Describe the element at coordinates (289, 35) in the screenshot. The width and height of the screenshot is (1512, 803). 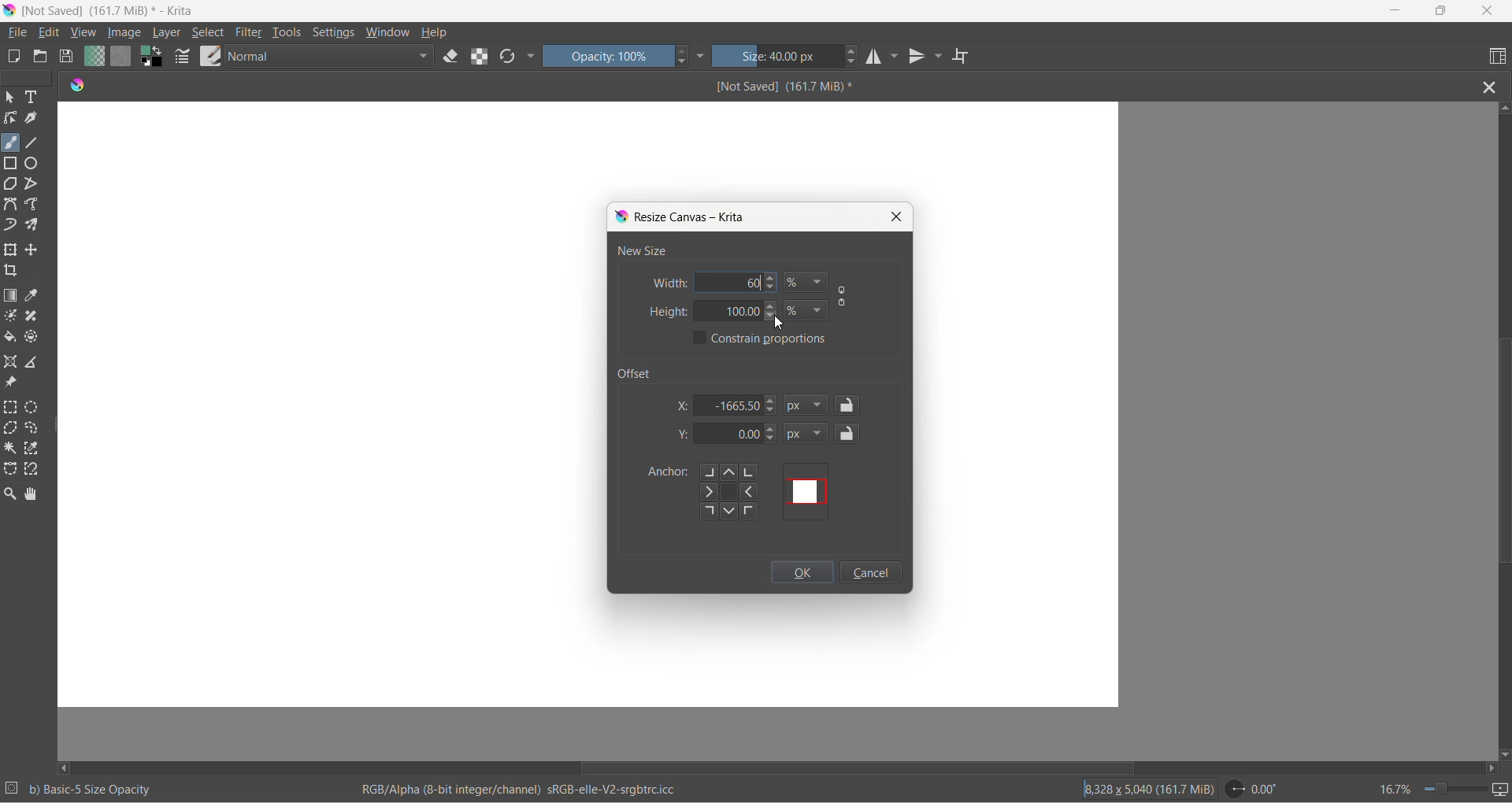
I see `tools` at that location.